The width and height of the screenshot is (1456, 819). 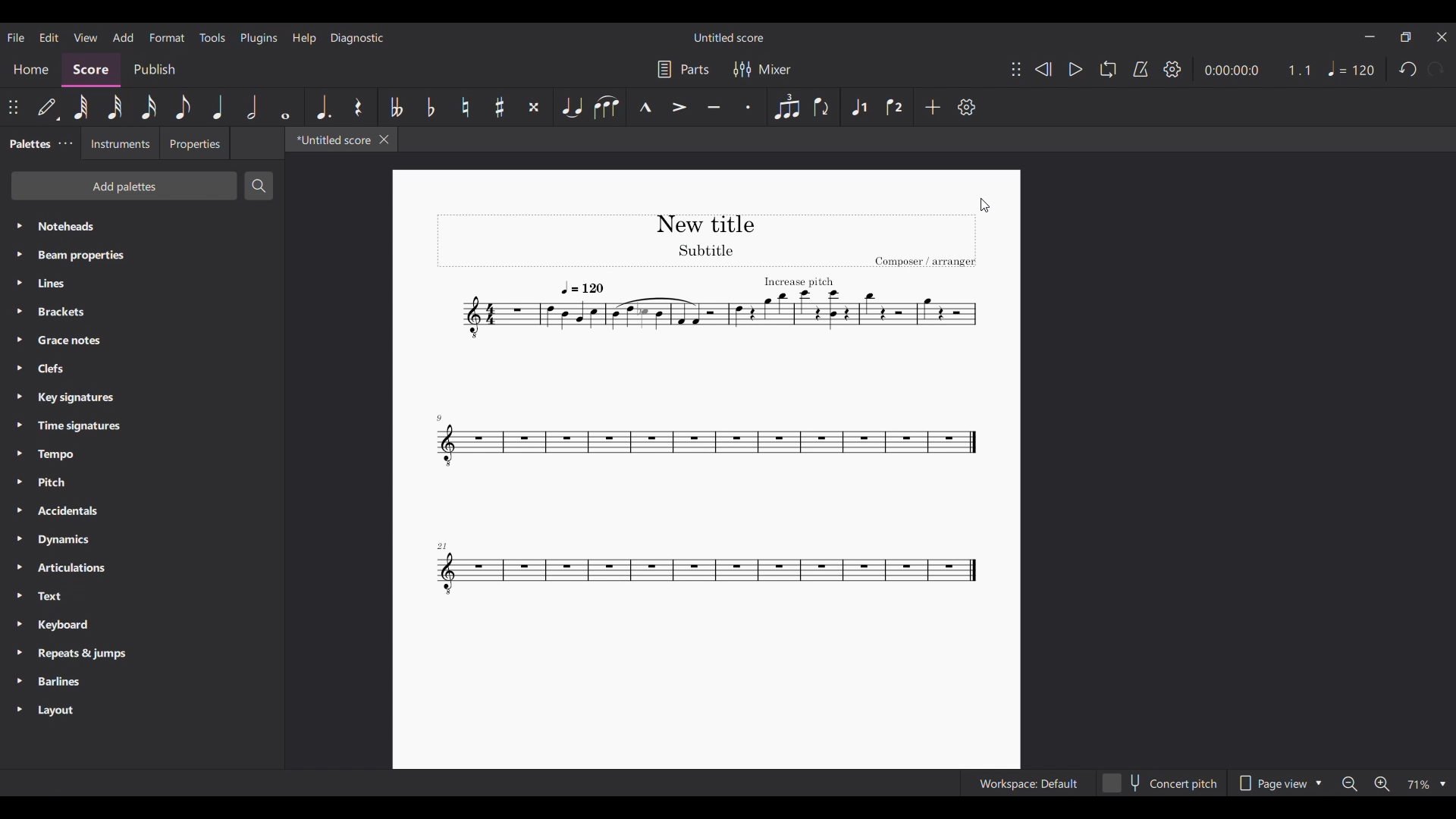 I want to click on Toggle sharp, so click(x=500, y=108).